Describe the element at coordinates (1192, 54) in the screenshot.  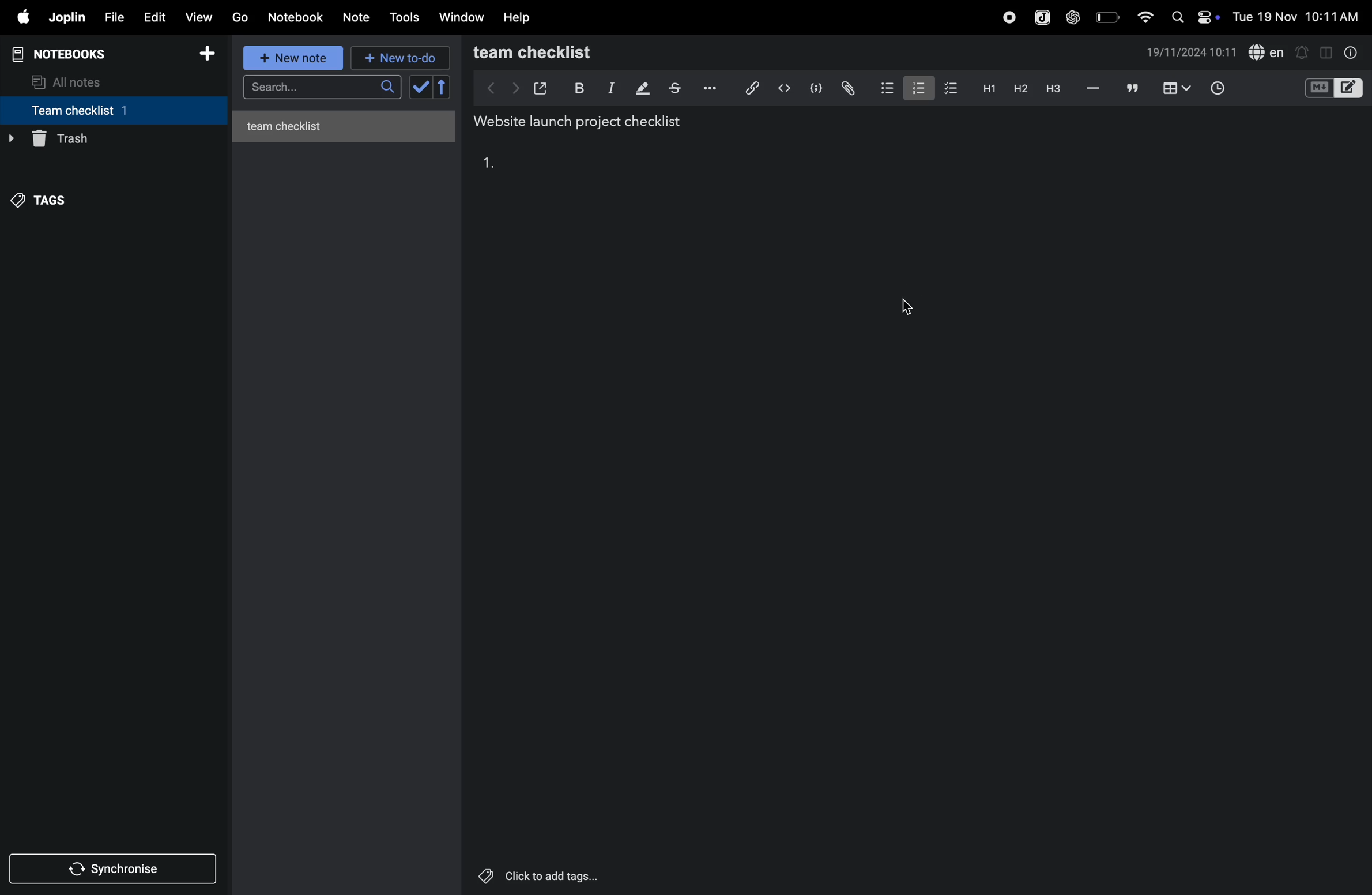
I see `date and time` at that location.